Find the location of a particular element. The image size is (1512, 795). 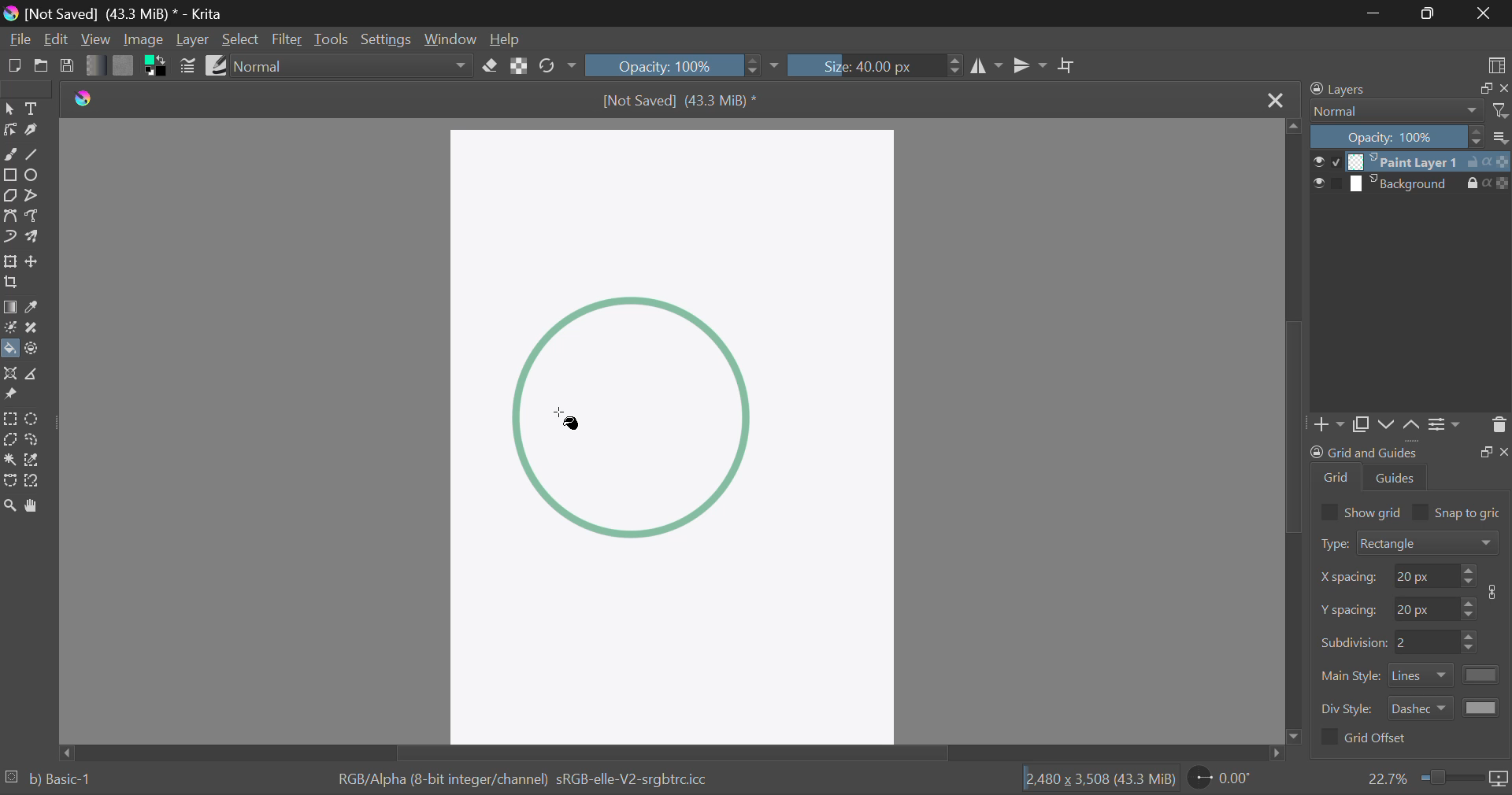

Window is located at coordinates (450, 41).